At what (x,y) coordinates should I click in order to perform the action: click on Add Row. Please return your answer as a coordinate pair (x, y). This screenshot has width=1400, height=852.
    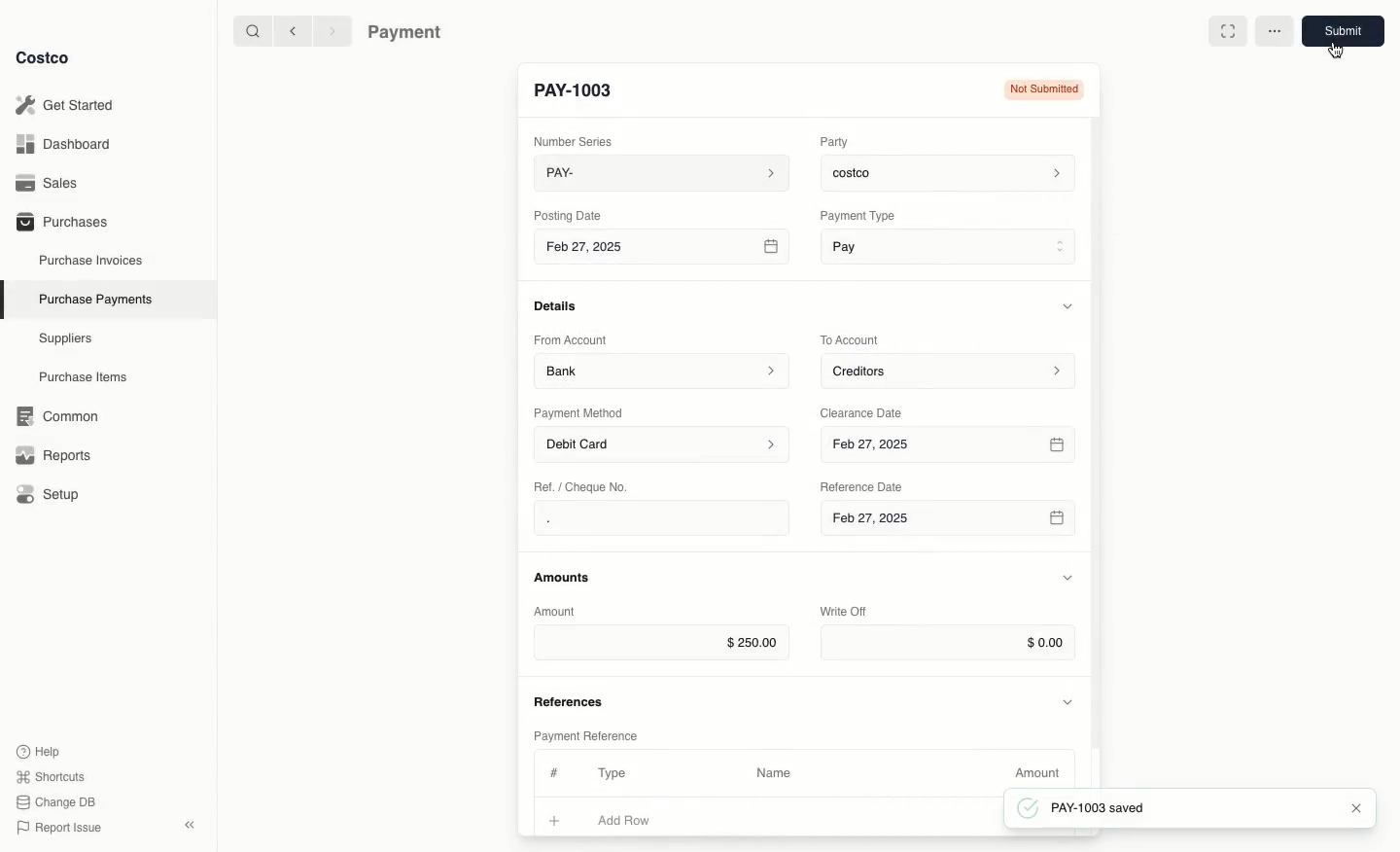
    Looking at the image, I should click on (637, 820).